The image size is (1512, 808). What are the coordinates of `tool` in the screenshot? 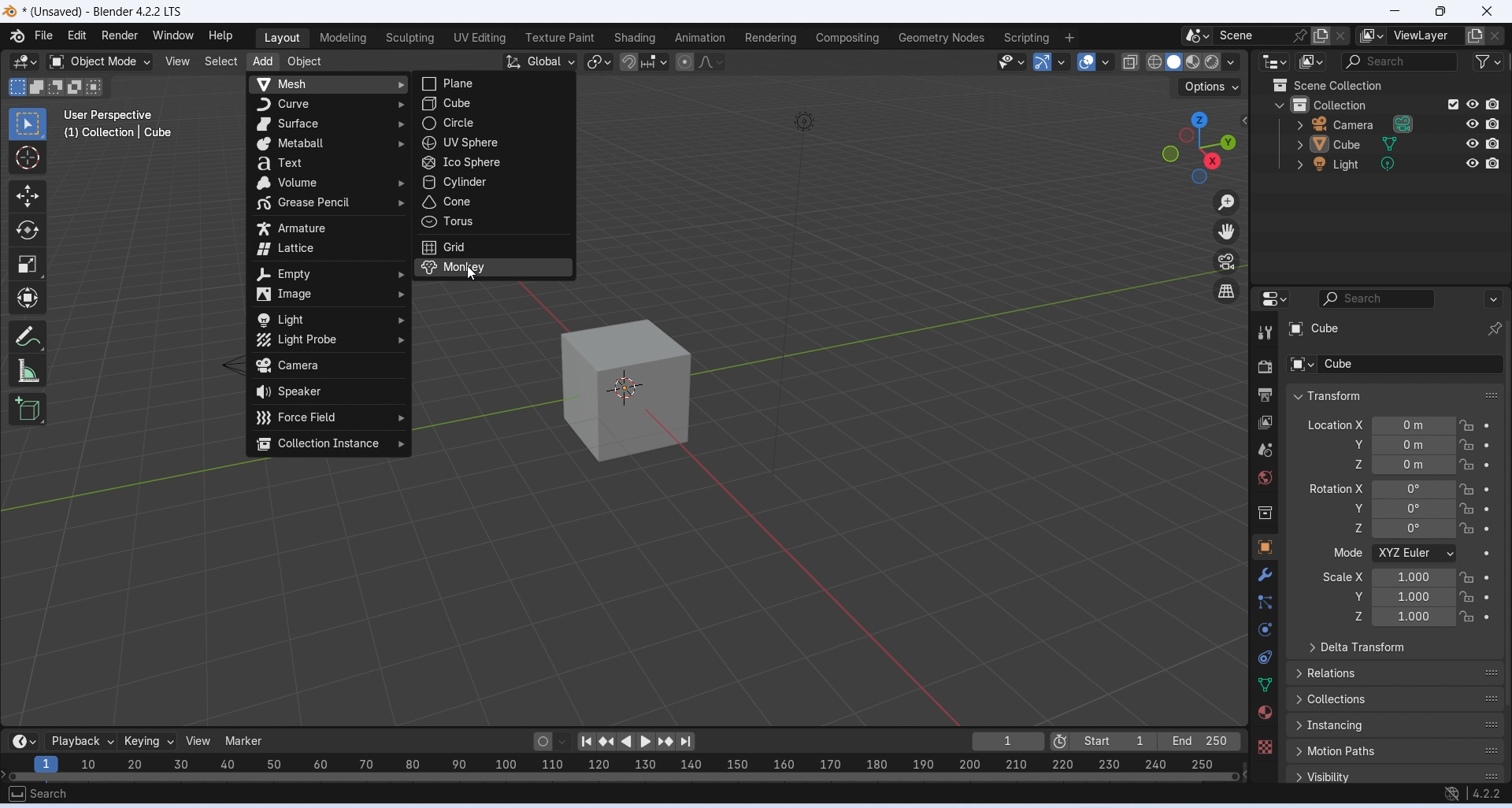 It's located at (1266, 333).